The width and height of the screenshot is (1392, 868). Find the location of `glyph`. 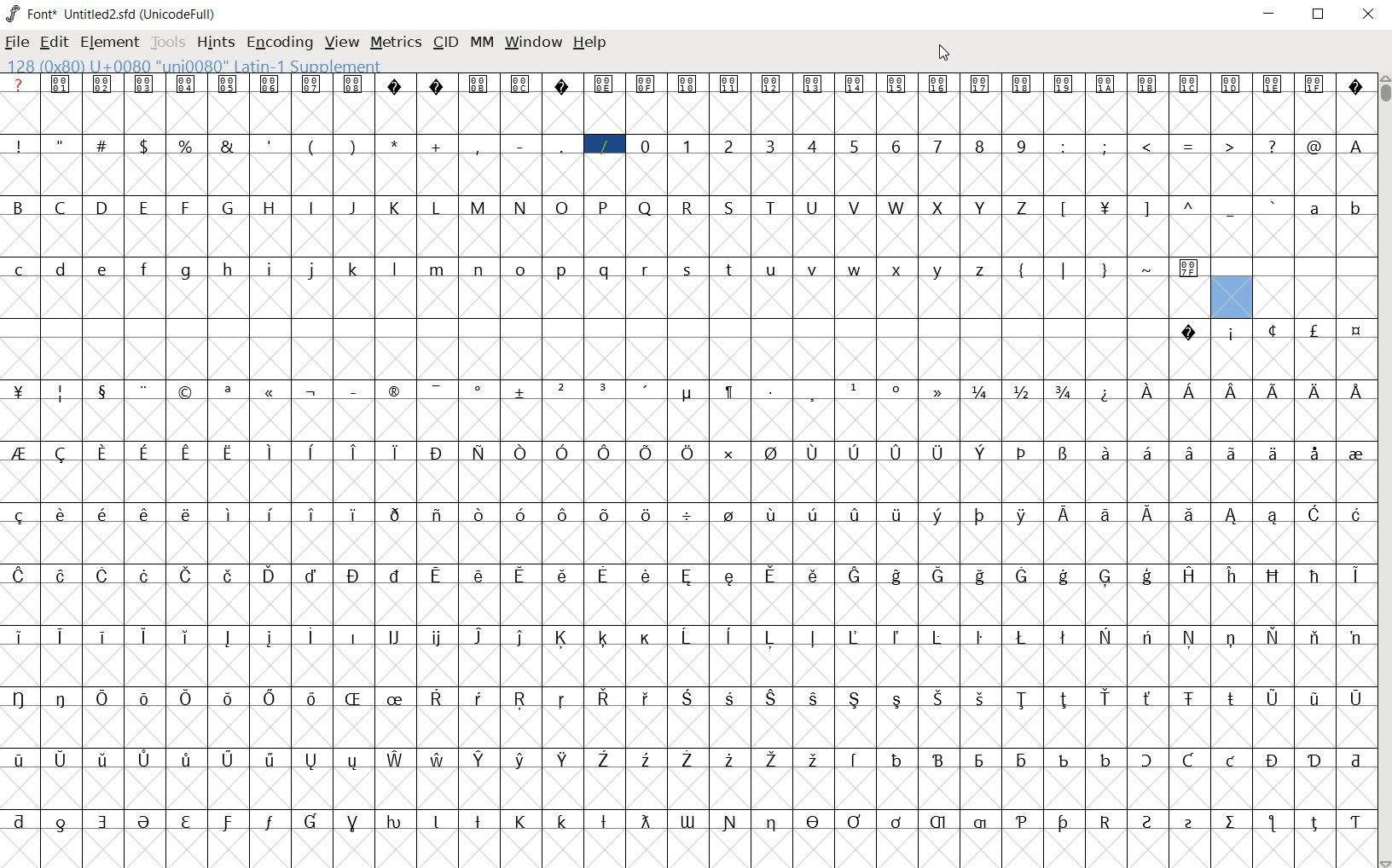

glyph is located at coordinates (61, 84).